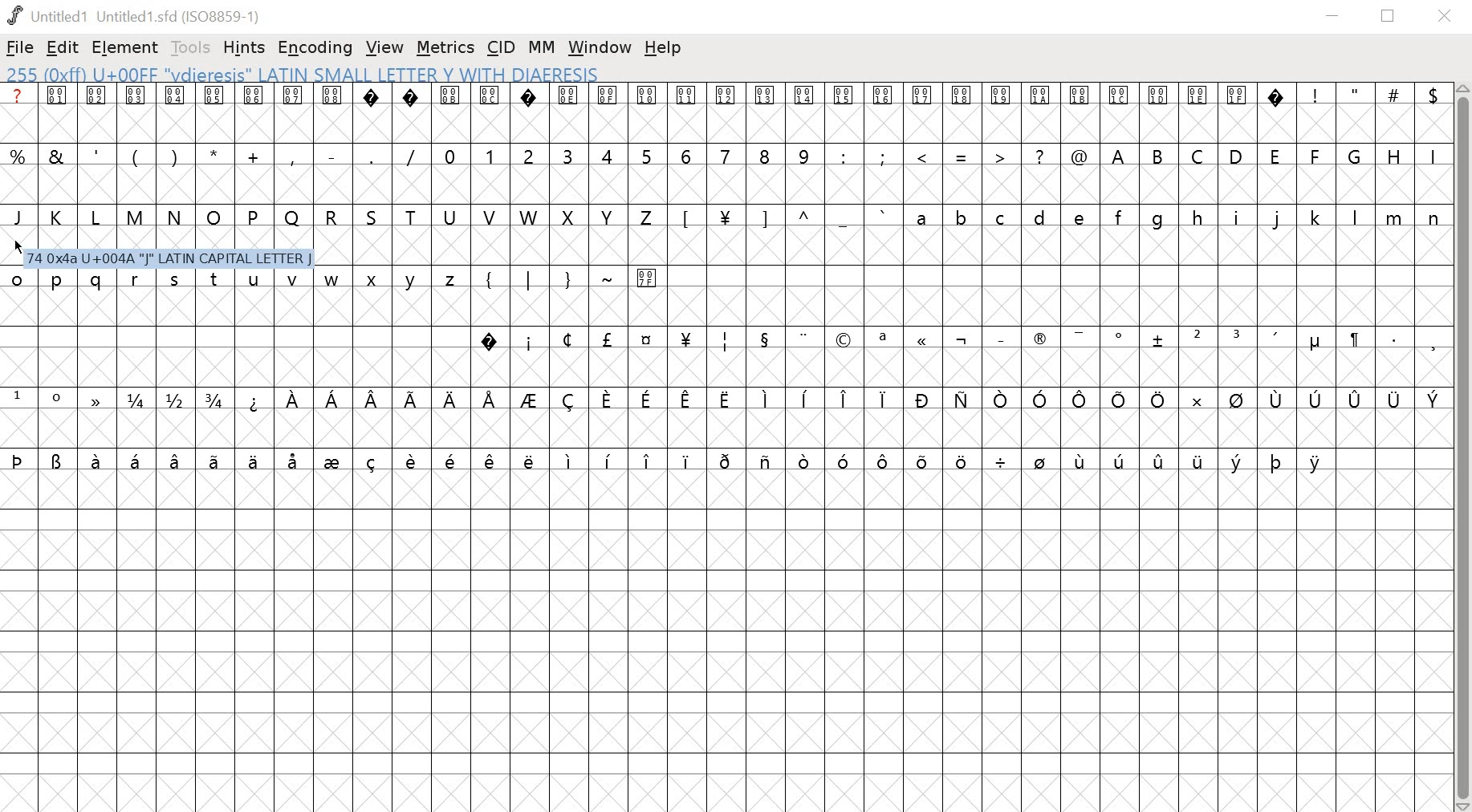 This screenshot has height=812, width=1472. I want to click on special characters, so click(958, 158).